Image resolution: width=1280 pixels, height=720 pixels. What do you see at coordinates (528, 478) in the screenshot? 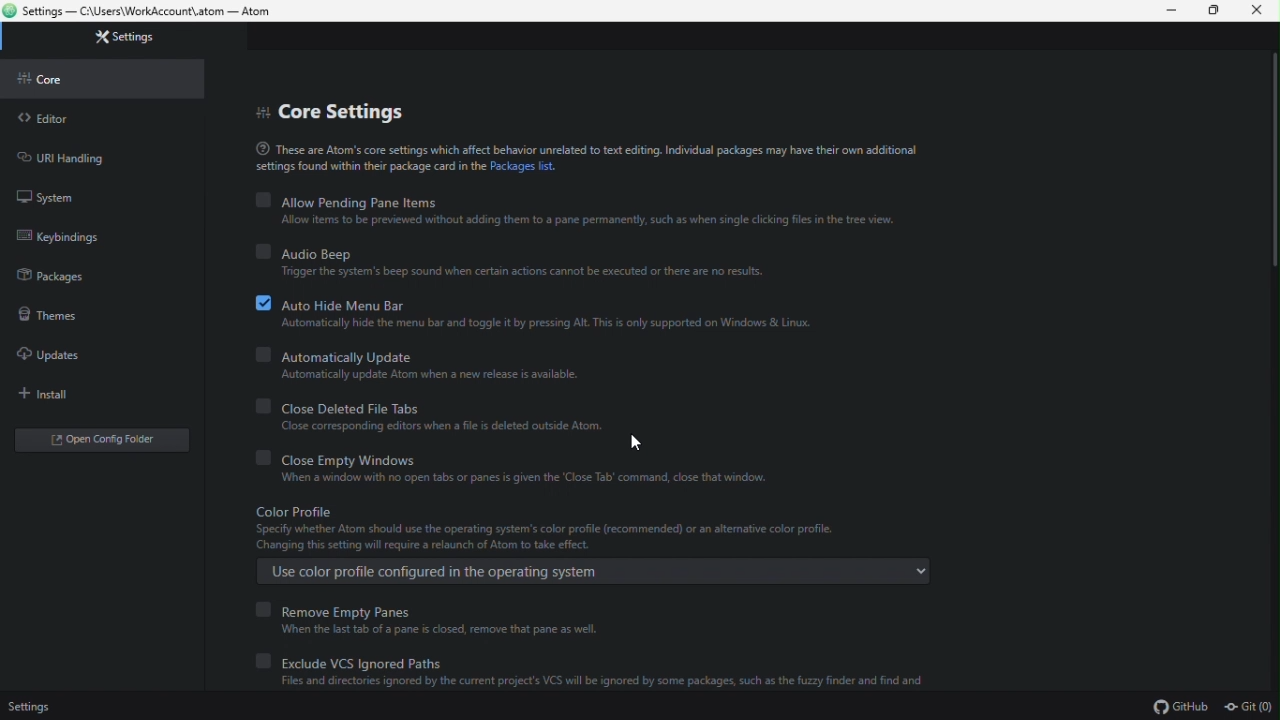
I see `When a window with no open tabs or panes is given the Close Tab’ command, close that window.` at bounding box center [528, 478].